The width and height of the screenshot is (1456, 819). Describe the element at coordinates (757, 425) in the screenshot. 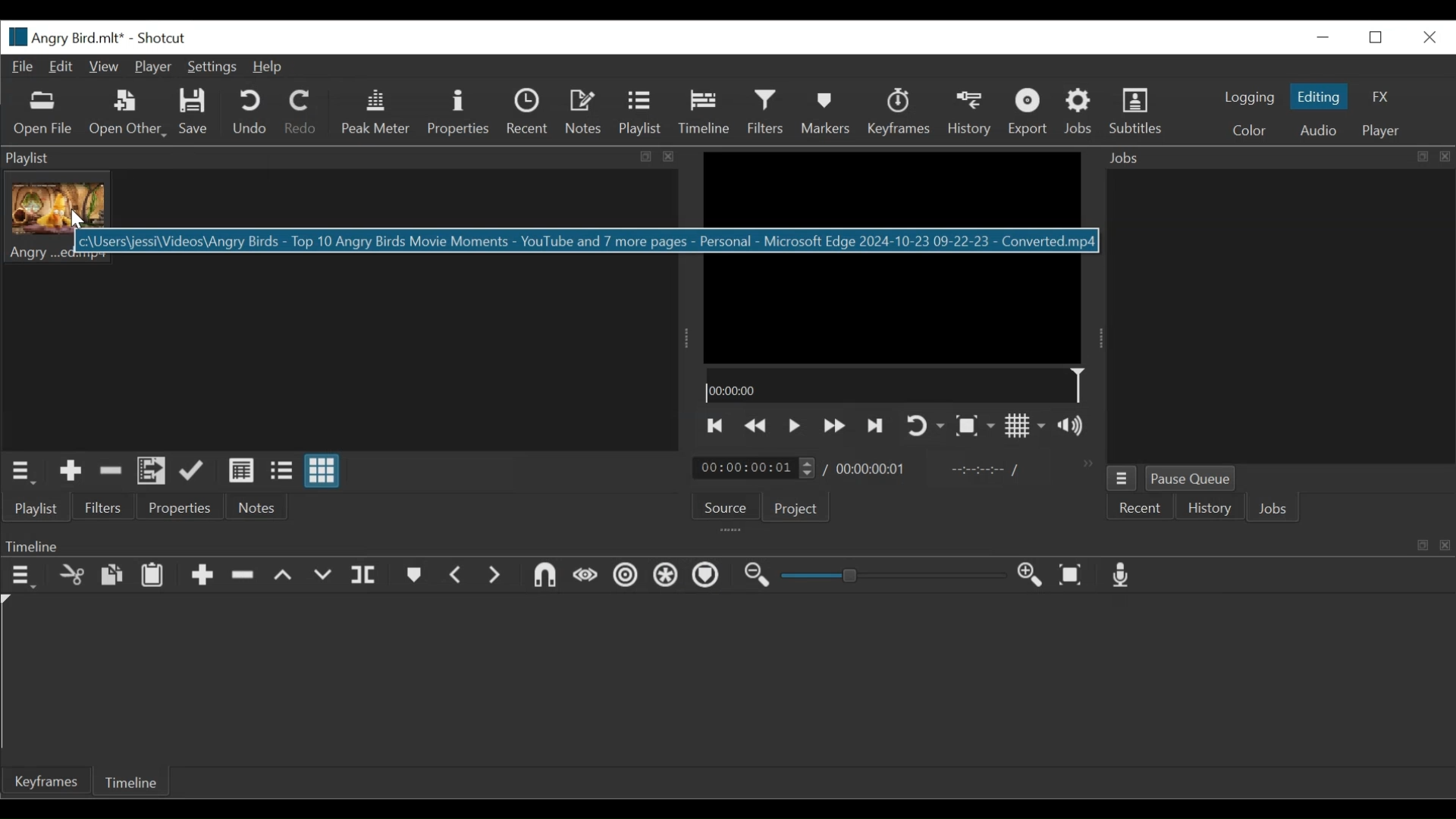

I see `Play backward quickly` at that location.